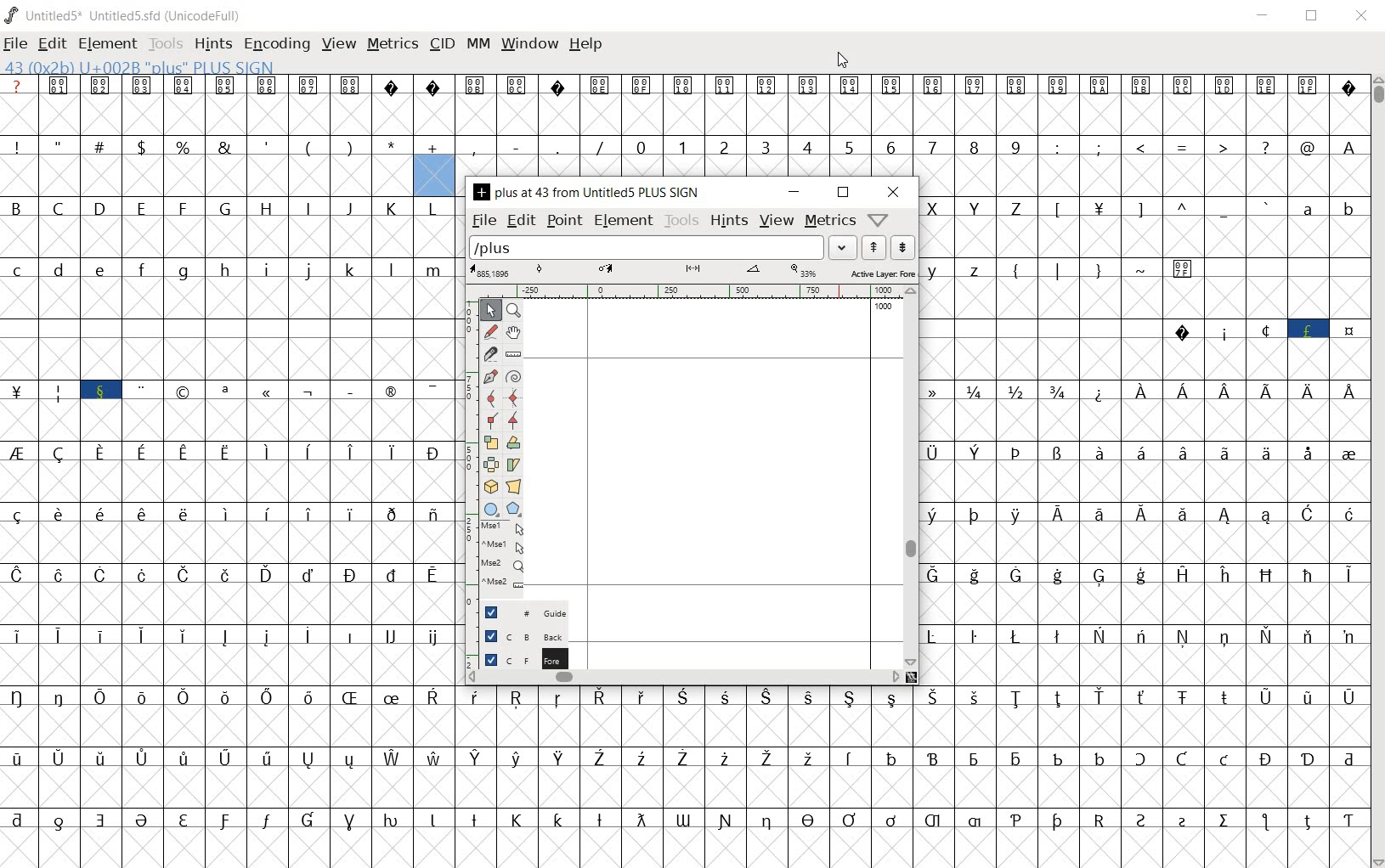 The image size is (1385, 868). Describe the element at coordinates (491, 508) in the screenshot. I see `rectangle or ellipse` at that location.